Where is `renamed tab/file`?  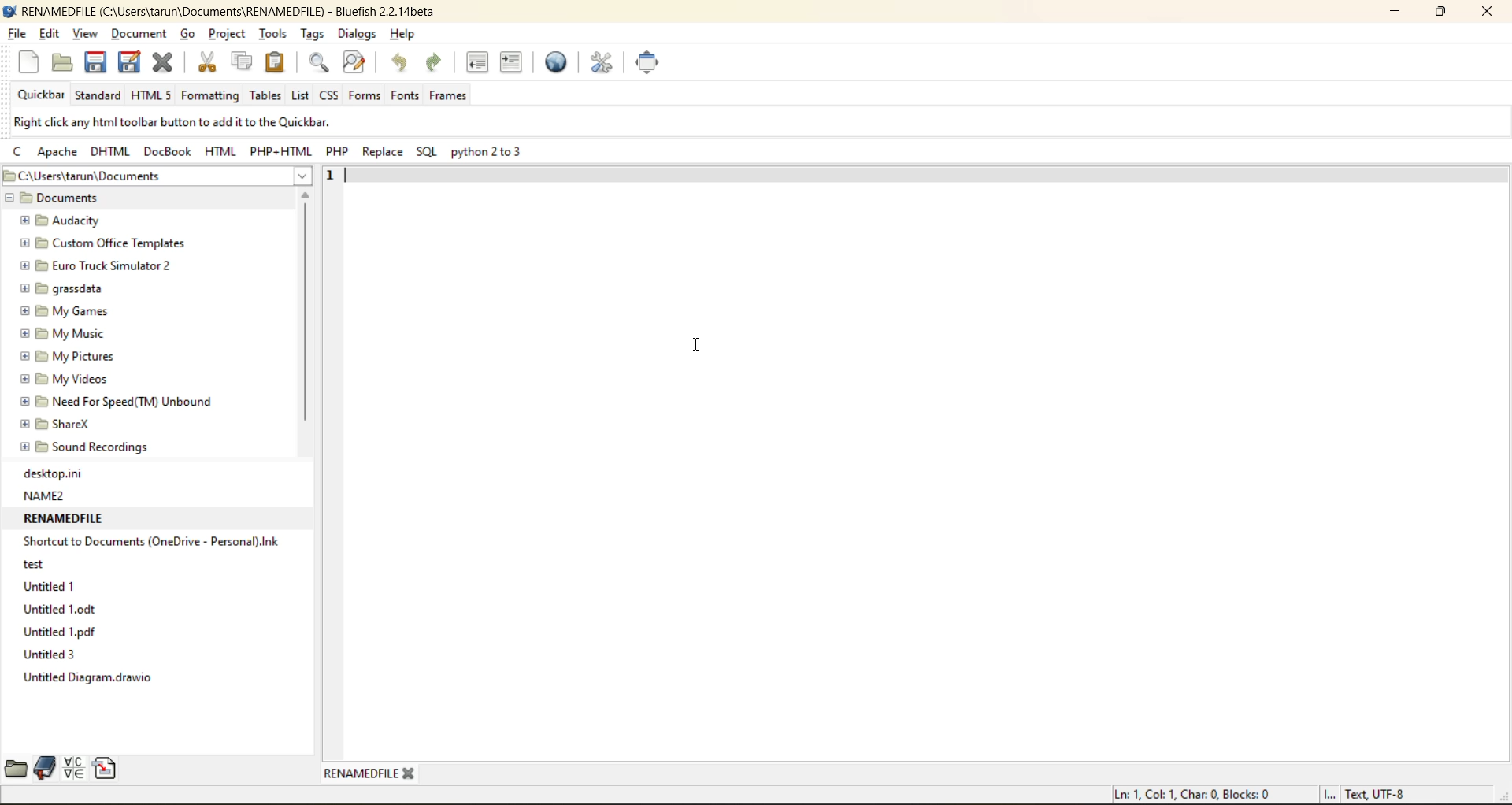
renamed tab/file is located at coordinates (372, 770).